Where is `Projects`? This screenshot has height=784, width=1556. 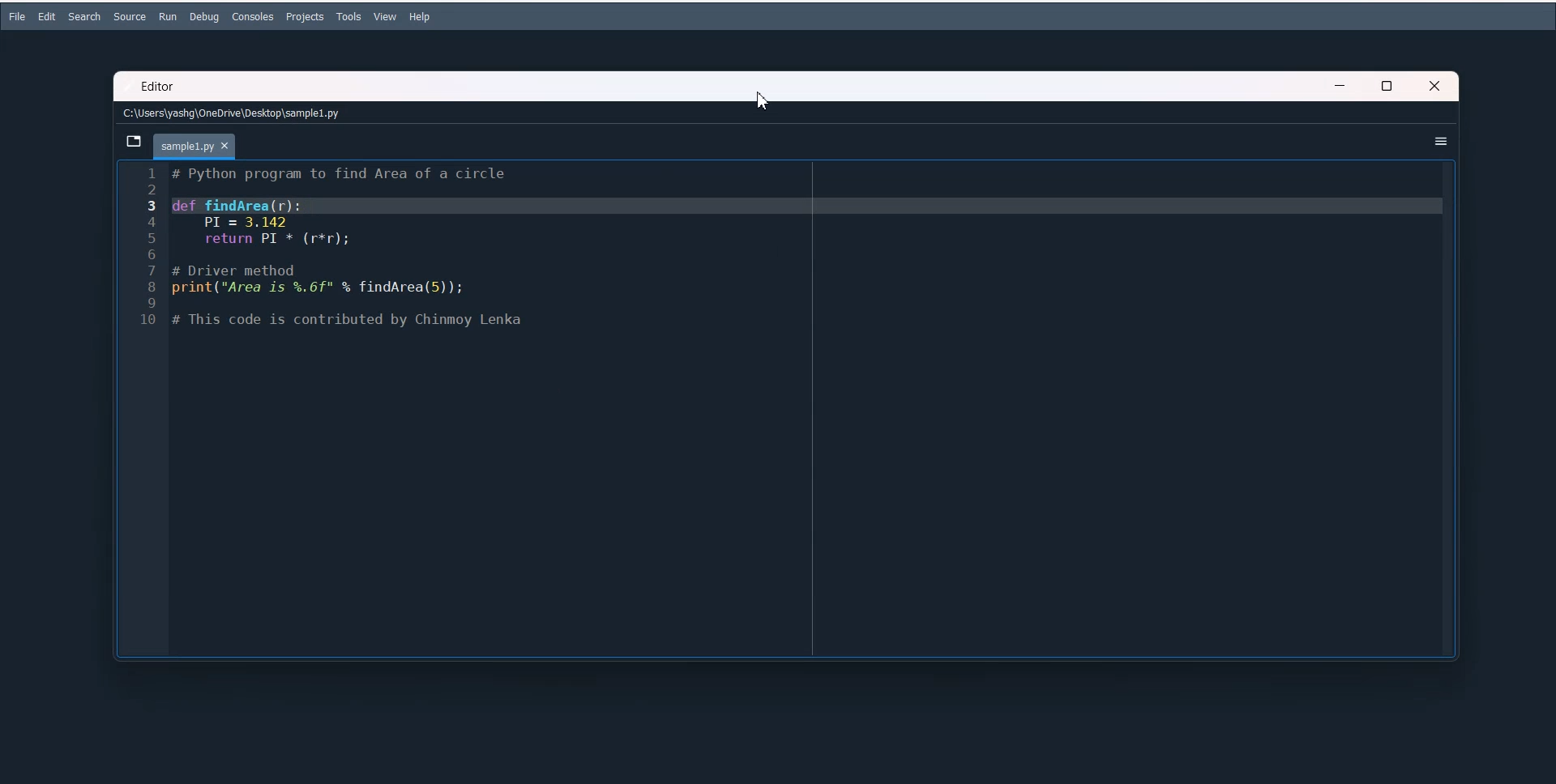 Projects is located at coordinates (306, 17).